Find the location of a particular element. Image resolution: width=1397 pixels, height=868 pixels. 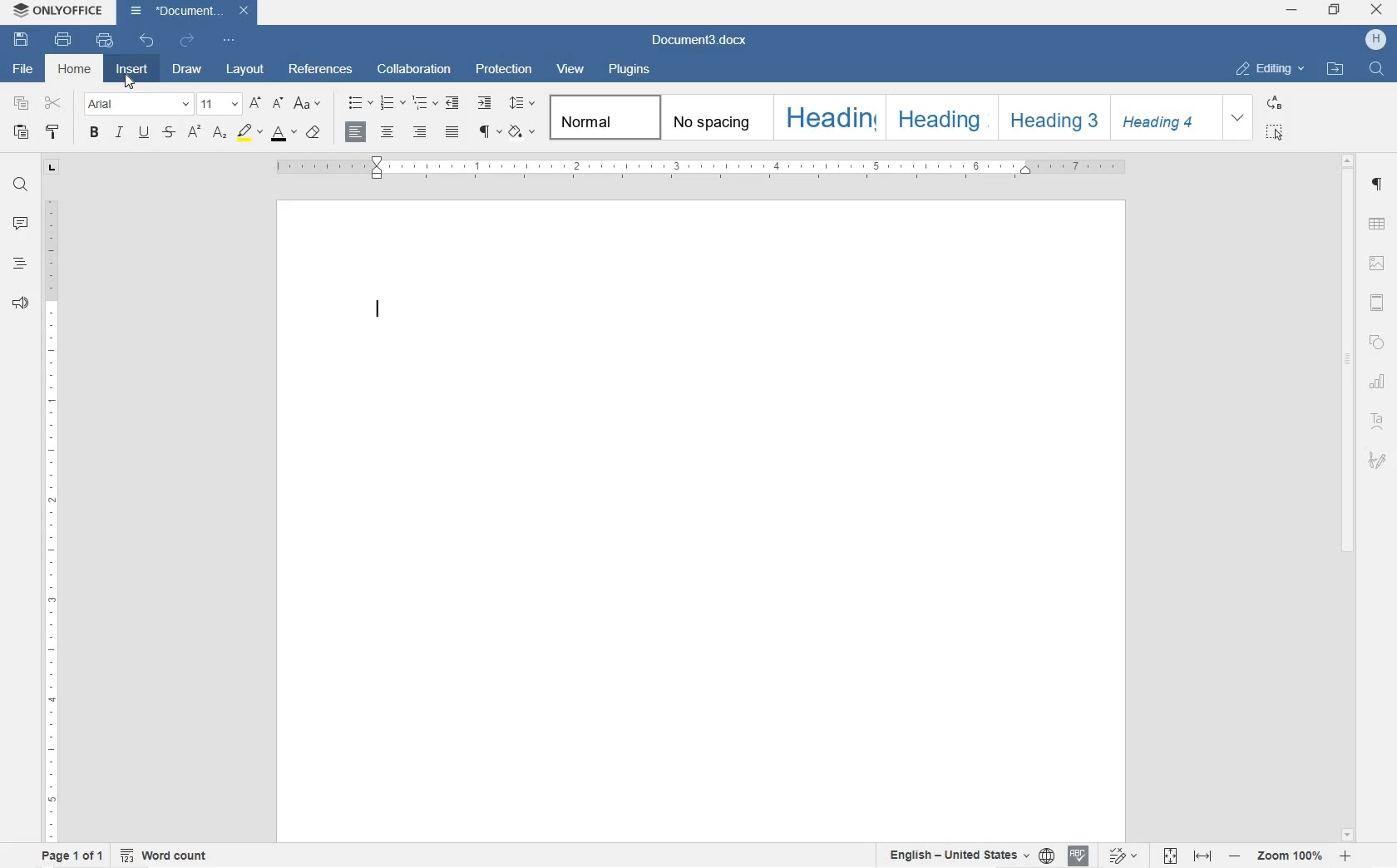

PRINT is located at coordinates (64, 39).